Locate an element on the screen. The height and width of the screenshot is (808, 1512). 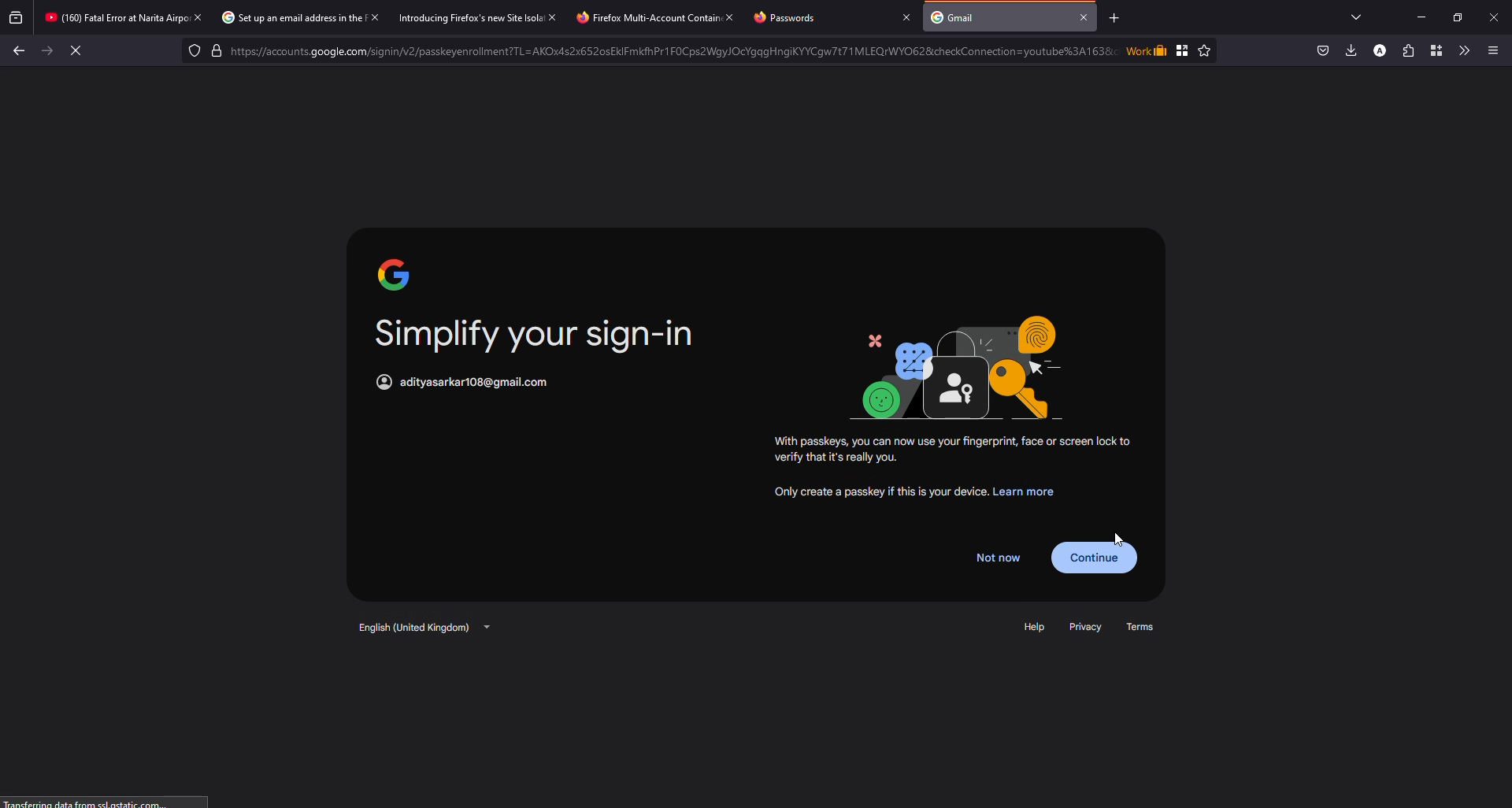
downloads is located at coordinates (1349, 50).